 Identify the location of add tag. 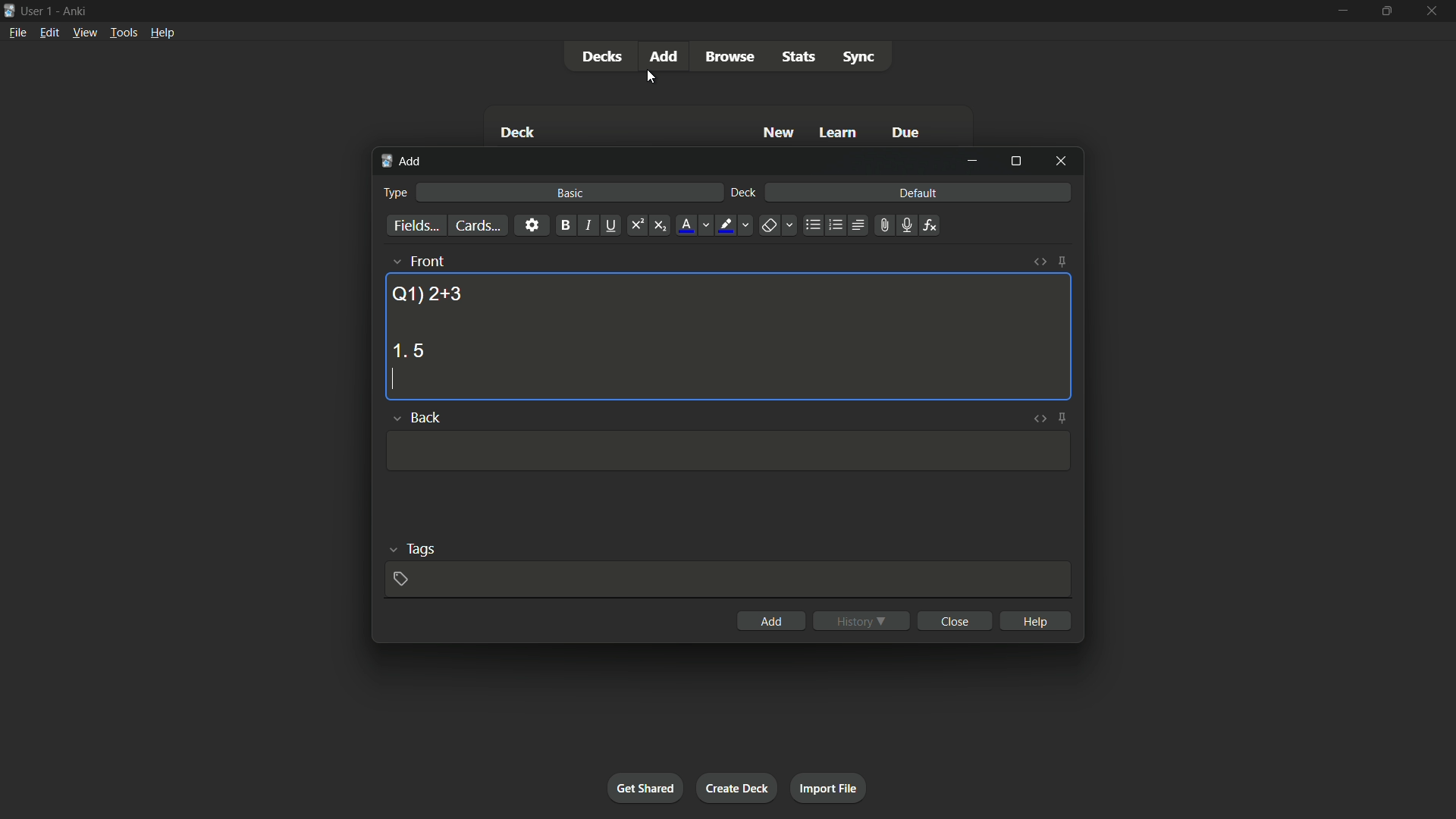
(400, 579).